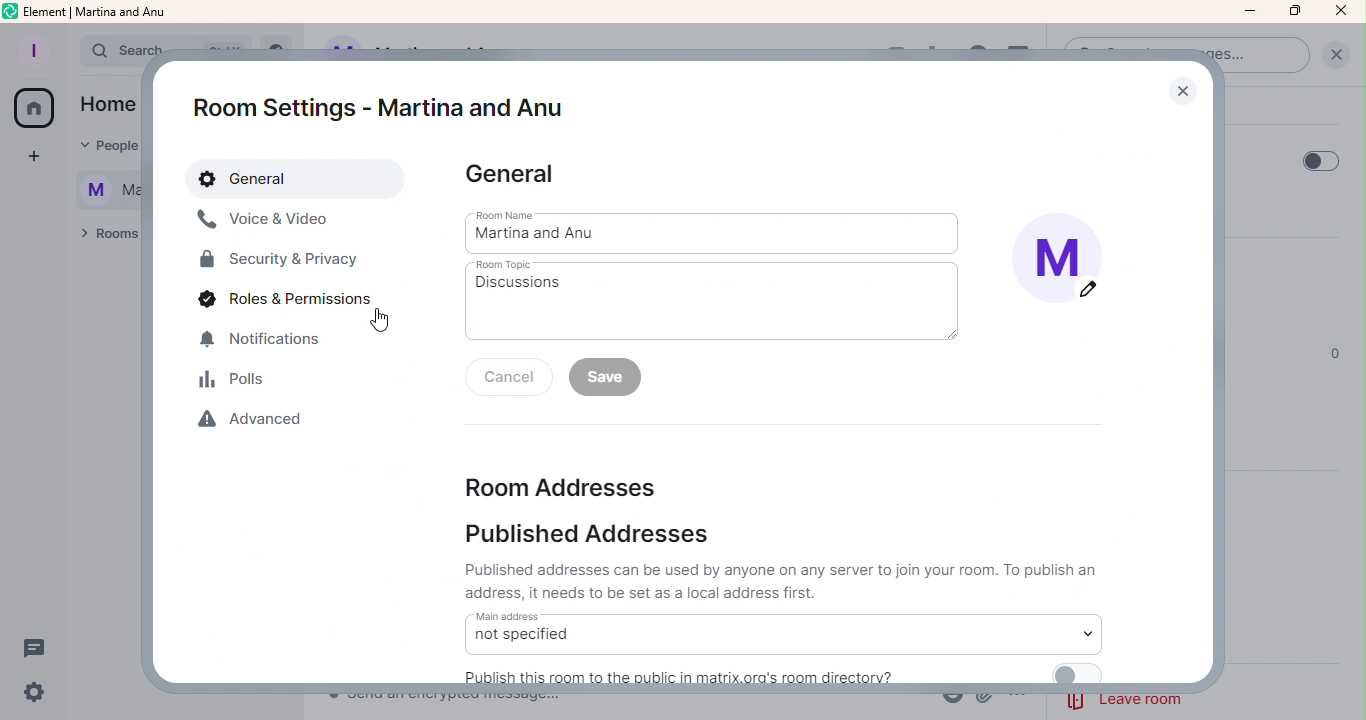  What do you see at coordinates (272, 344) in the screenshot?
I see `Notifications` at bounding box center [272, 344].